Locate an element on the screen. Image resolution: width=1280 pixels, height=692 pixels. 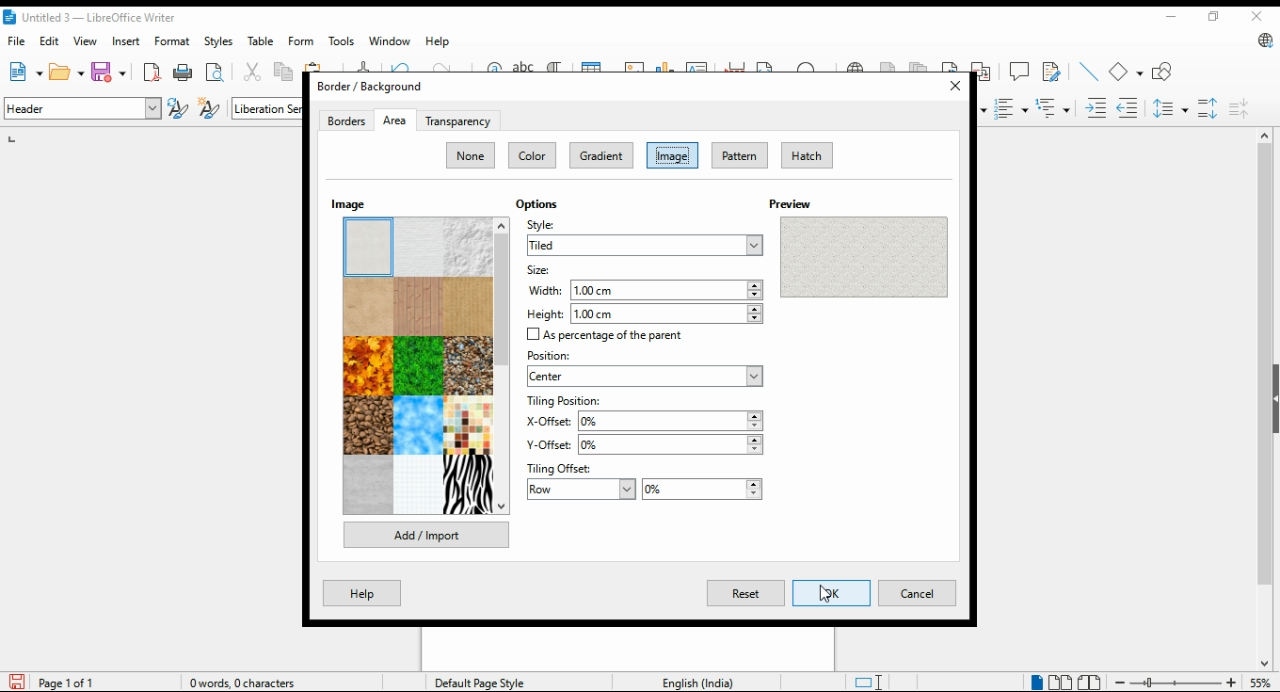
transperency is located at coordinates (458, 121).